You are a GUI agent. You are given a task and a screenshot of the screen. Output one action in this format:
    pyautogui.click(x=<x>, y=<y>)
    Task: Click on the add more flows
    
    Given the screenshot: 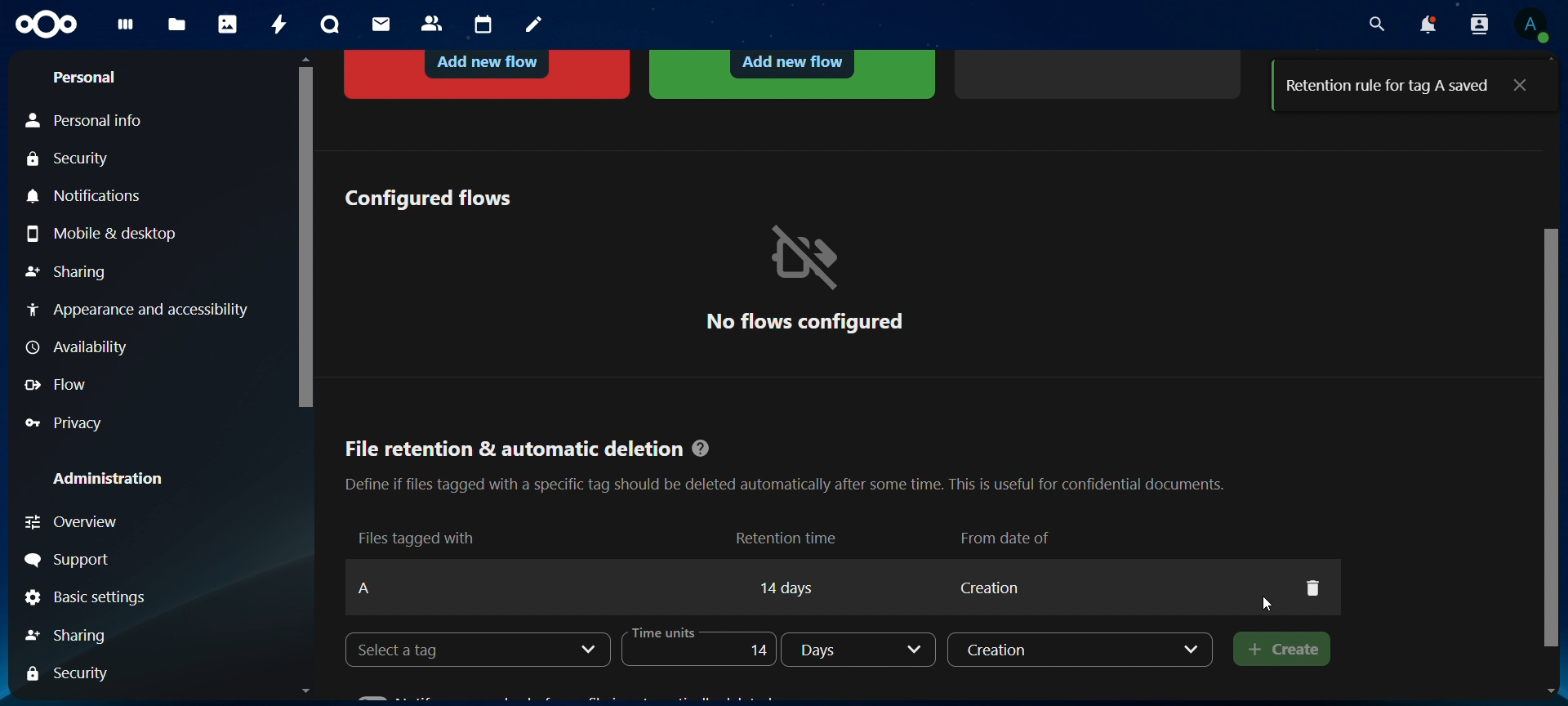 What is the action you would take?
    pyautogui.click(x=1101, y=72)
    